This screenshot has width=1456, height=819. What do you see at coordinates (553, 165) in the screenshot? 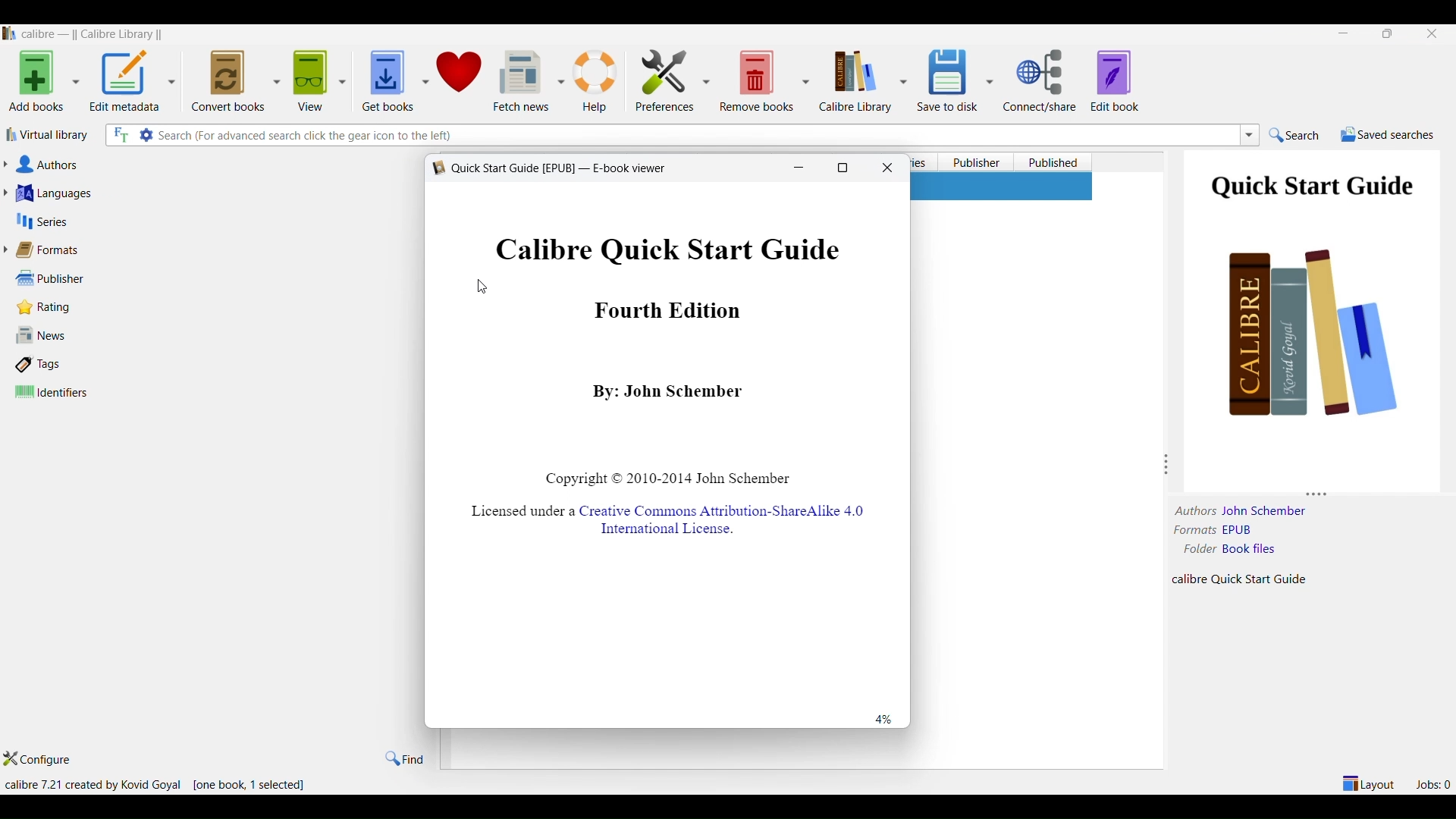
I see `YA Quick Start Guide [EPUB] — E-book viewer` at bounding box center [553, 165].